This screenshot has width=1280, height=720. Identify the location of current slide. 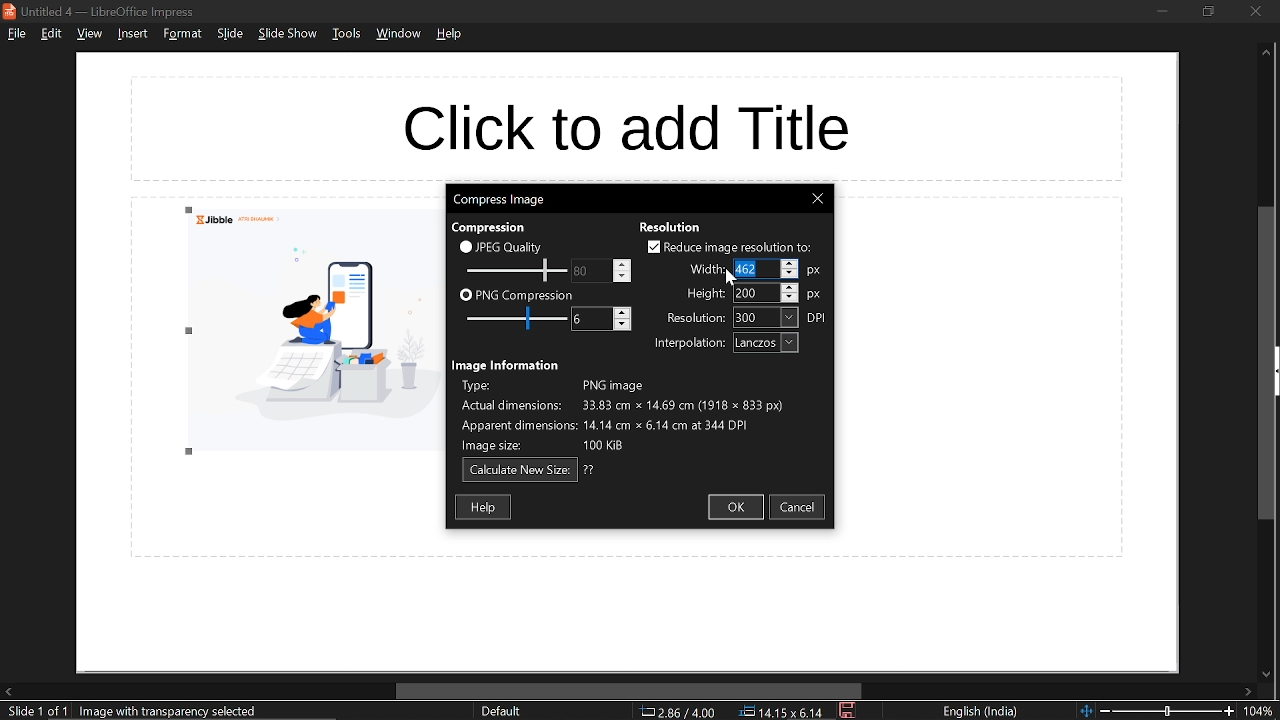
(34, 712).